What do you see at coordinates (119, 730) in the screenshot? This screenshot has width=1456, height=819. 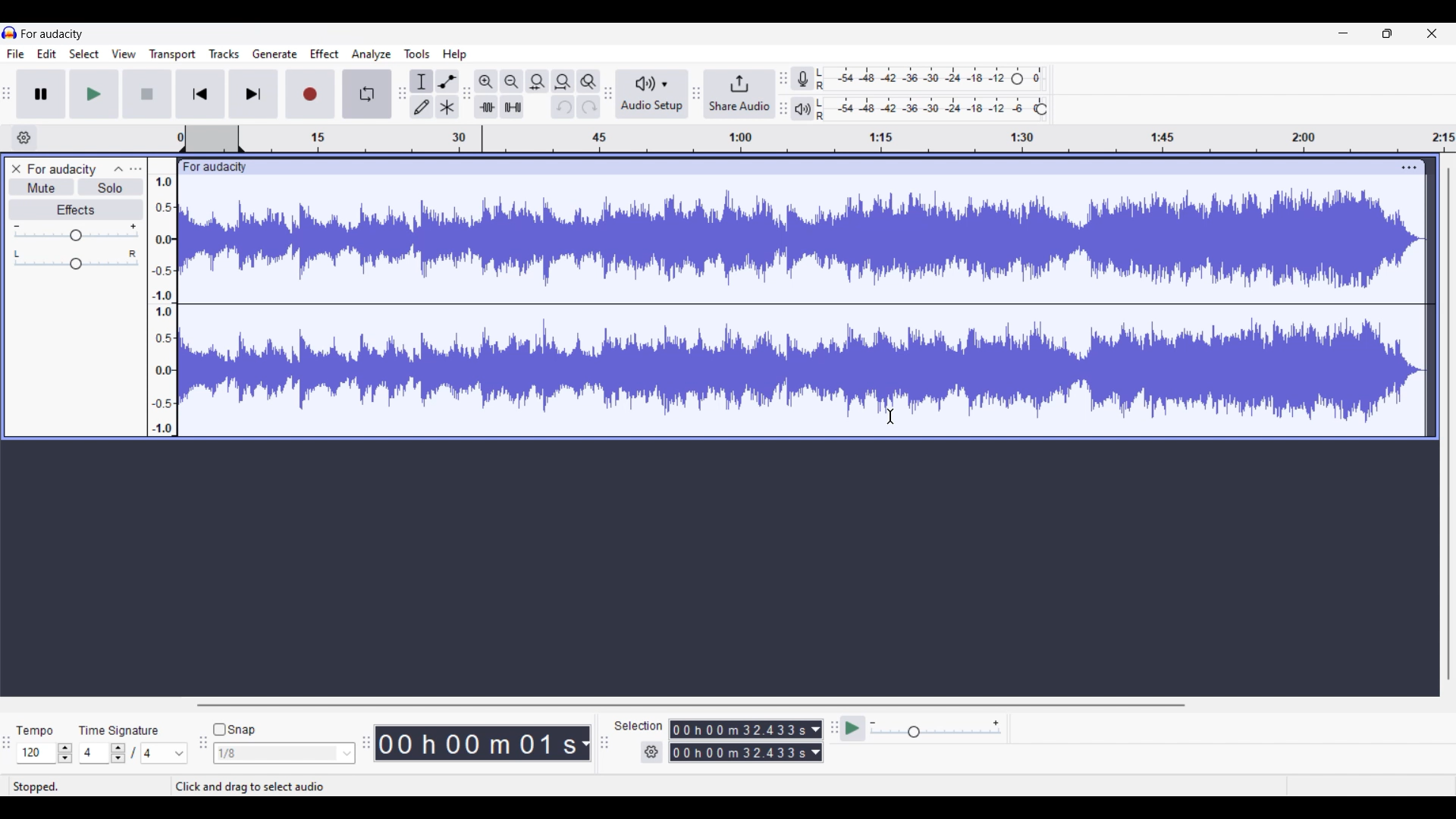 I see `Indicates time signature settings` at bounding box center [119, 730].